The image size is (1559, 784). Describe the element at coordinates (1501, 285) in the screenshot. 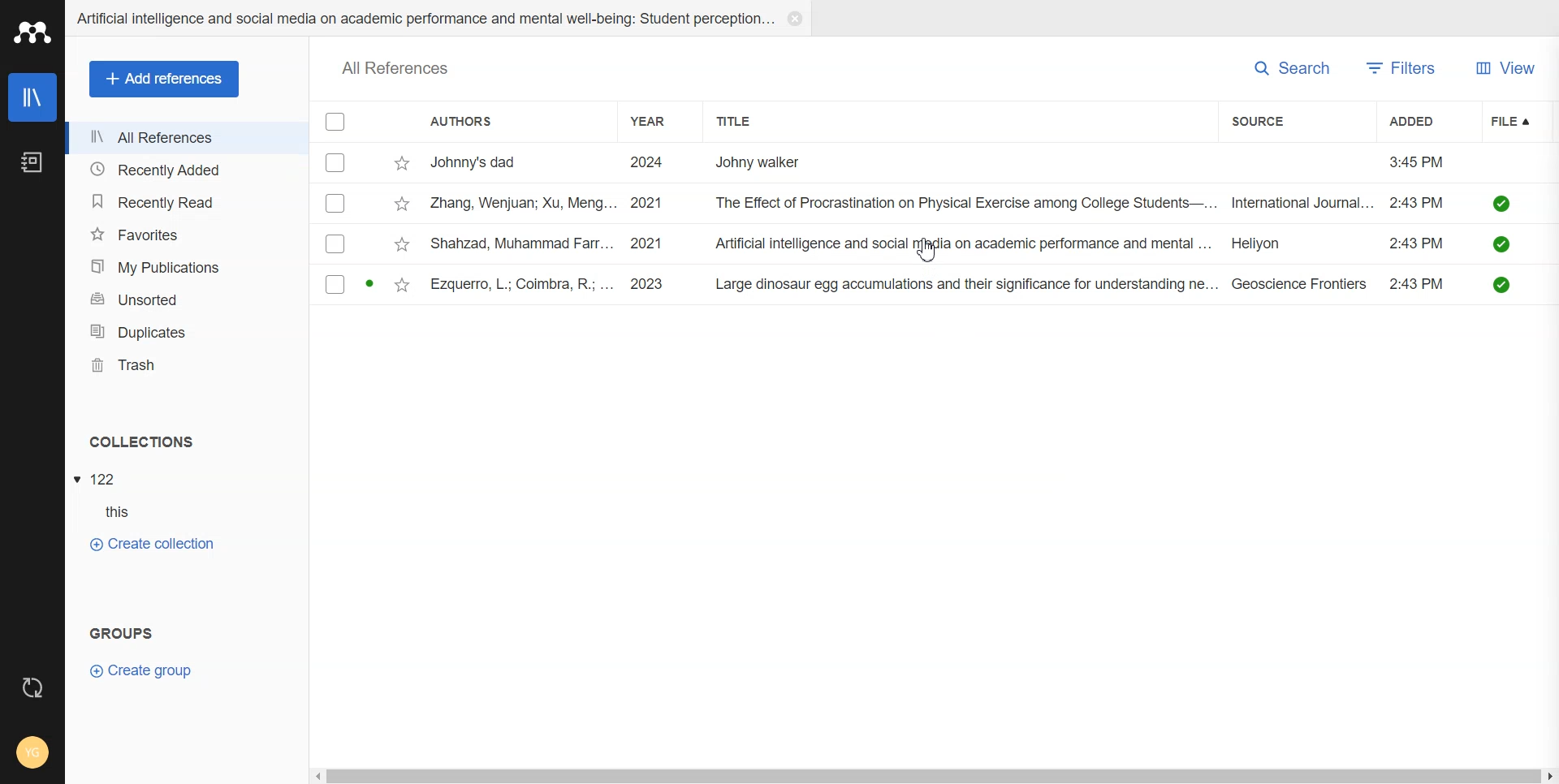

I see `downloded` at that location.